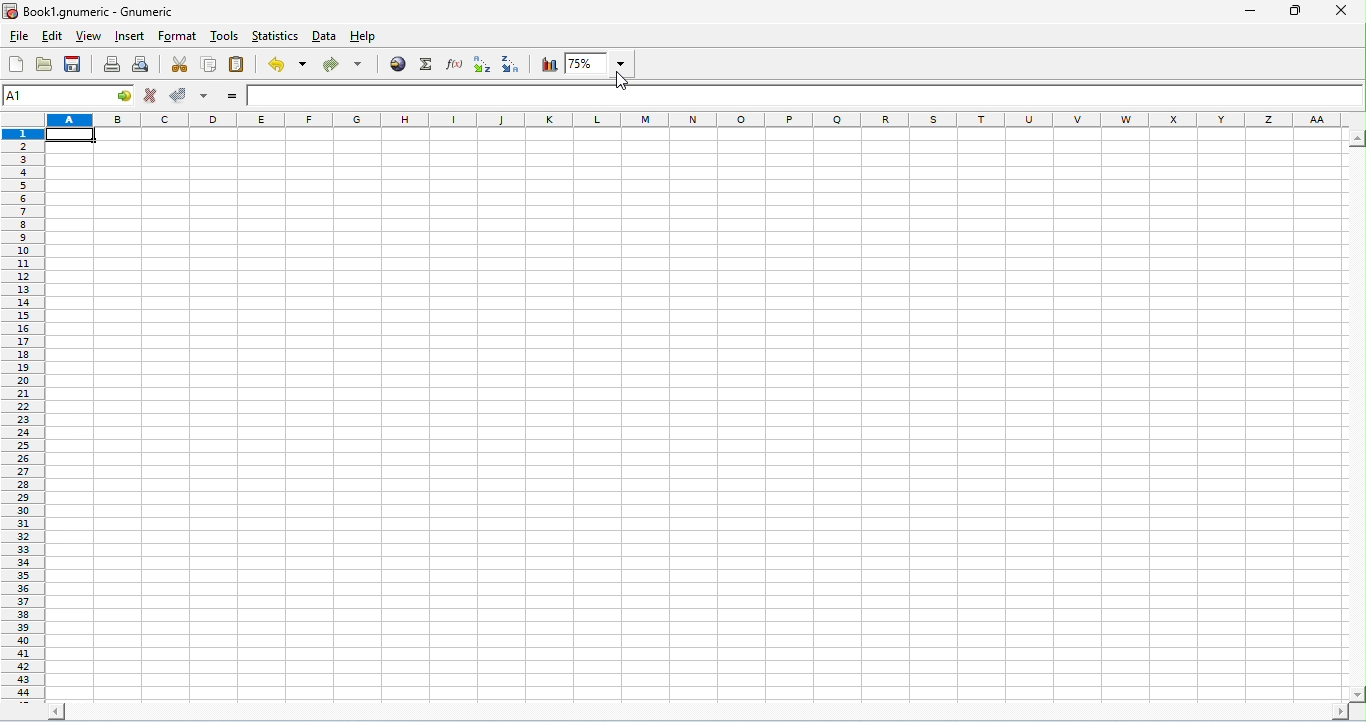 This screenshot has height=722, width=1366. What do you see at coordinates (805, 95) in the screenshot?
I see `formula bar` at bounding box center [805, 95].